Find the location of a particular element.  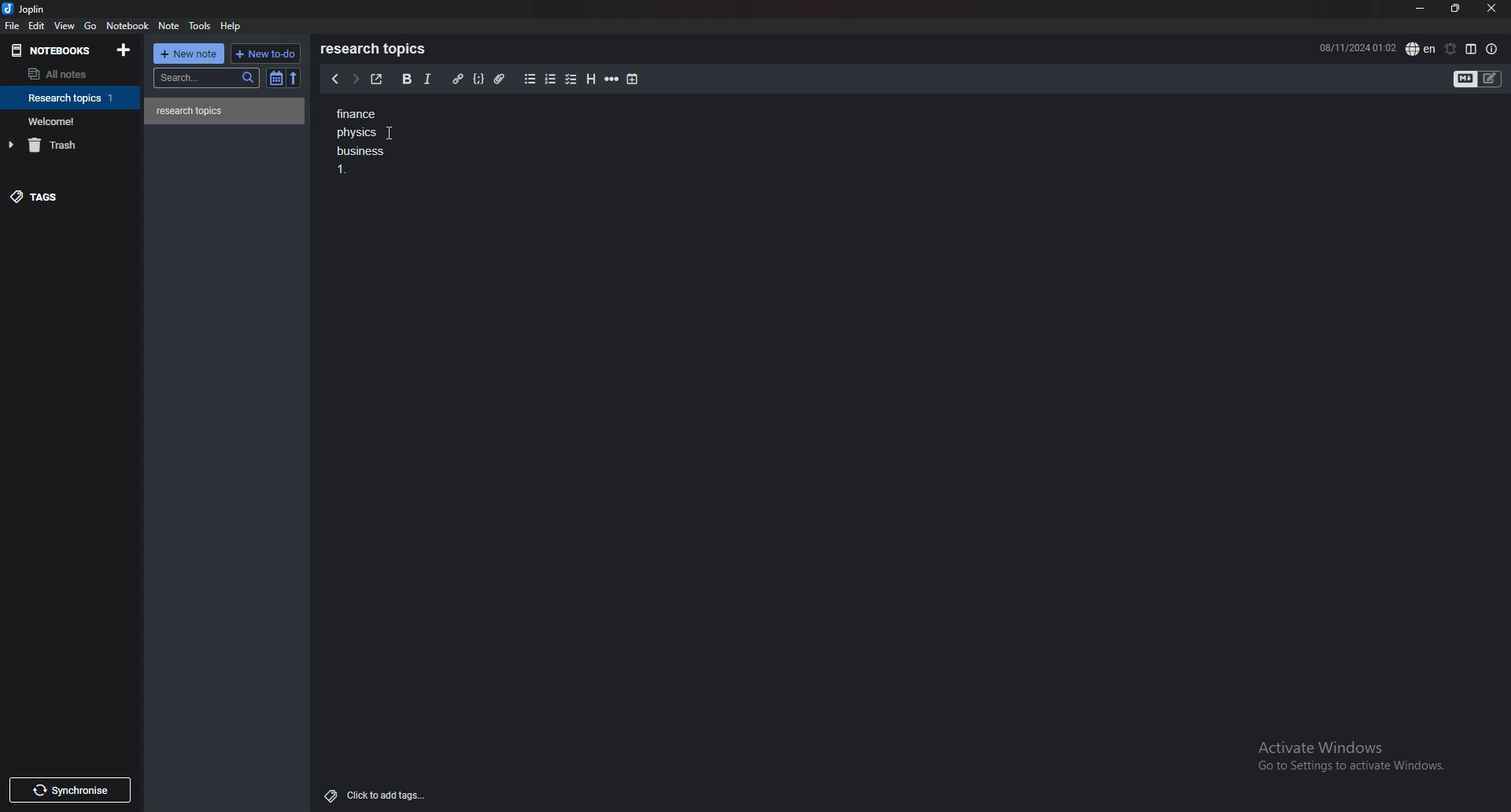

add time is located at coordinates (633, 79).